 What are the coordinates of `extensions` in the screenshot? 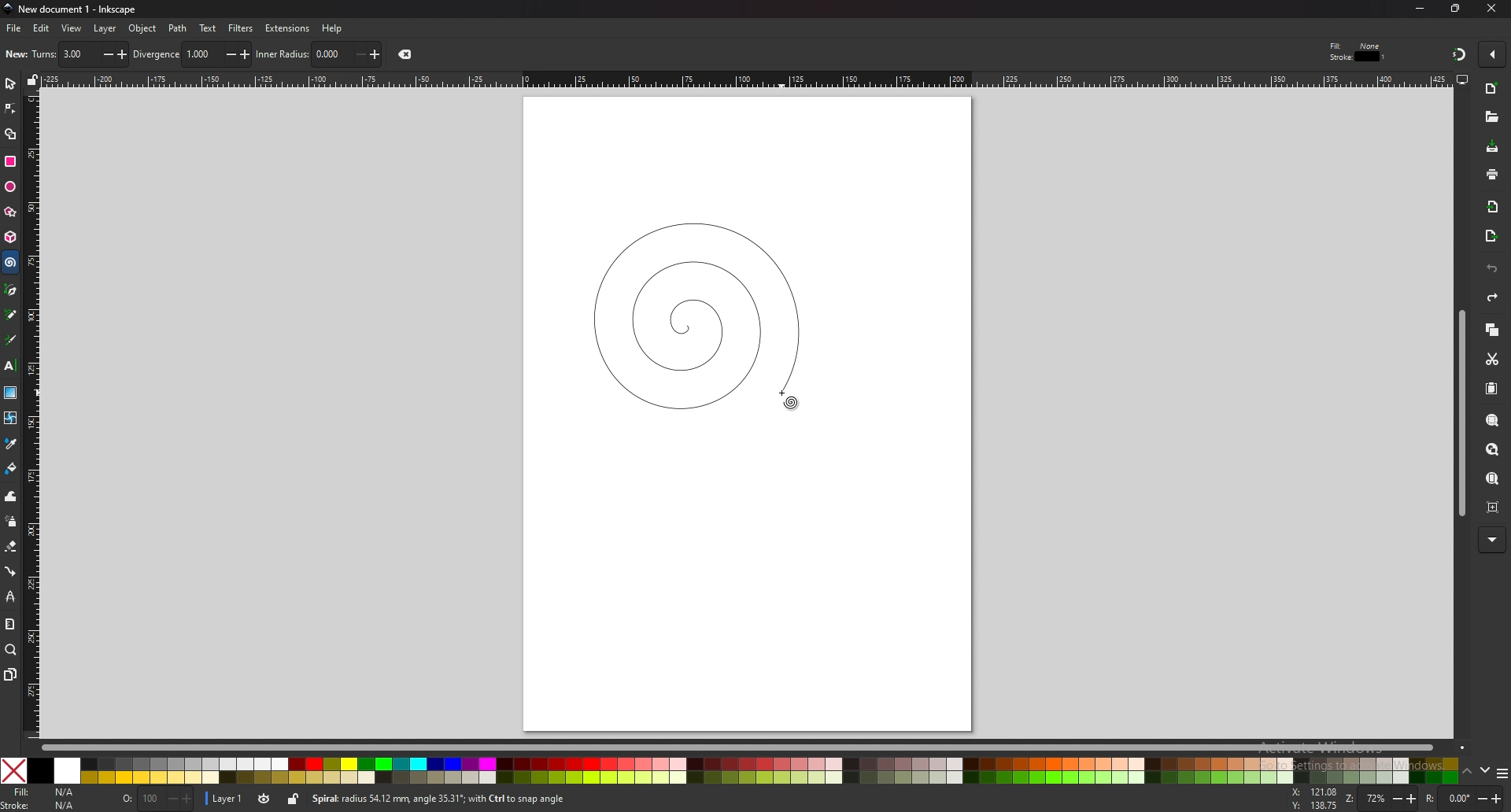 It's located at (289, 28).